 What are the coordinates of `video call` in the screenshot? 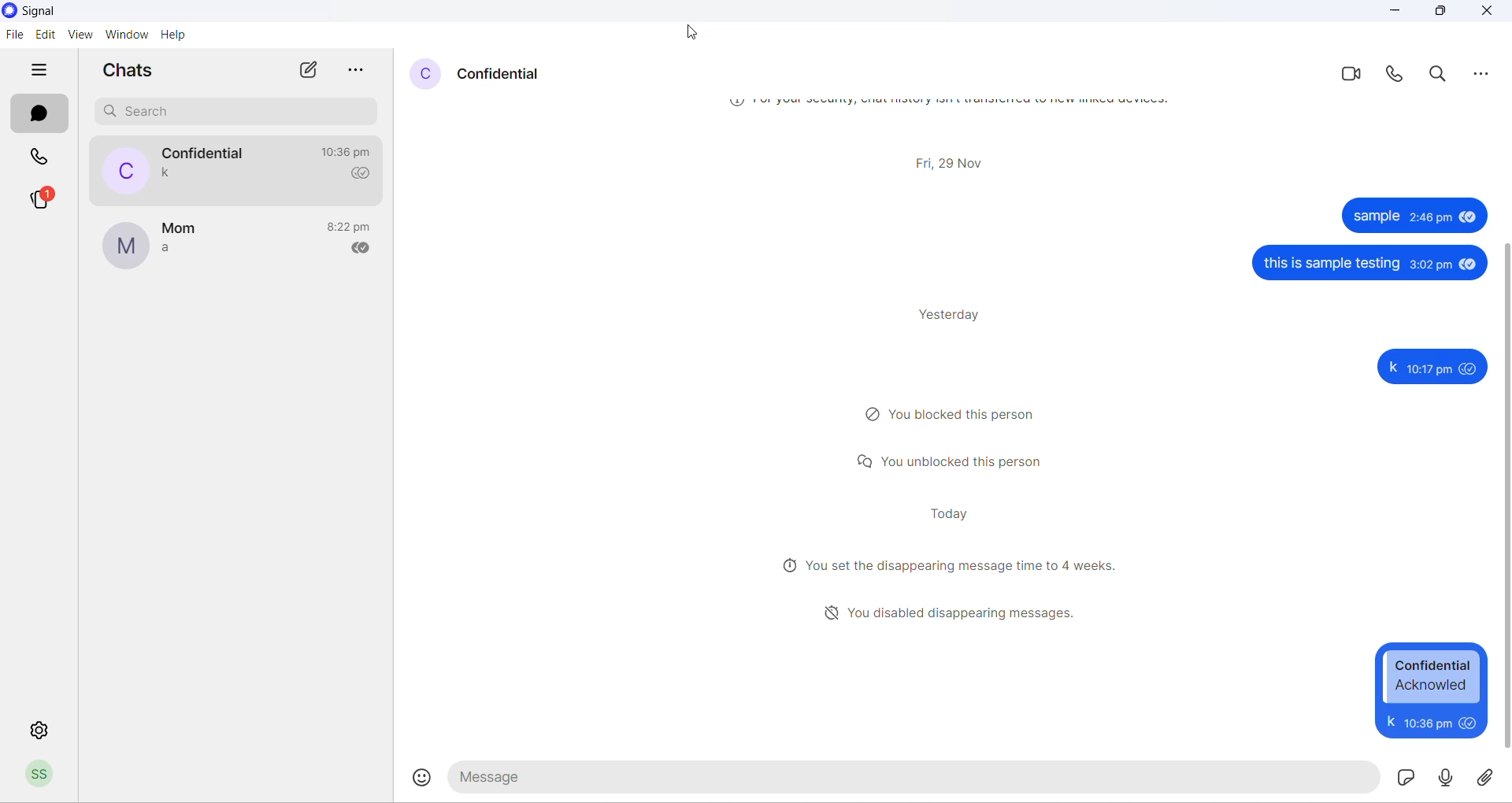 It's located at (1349, 76).